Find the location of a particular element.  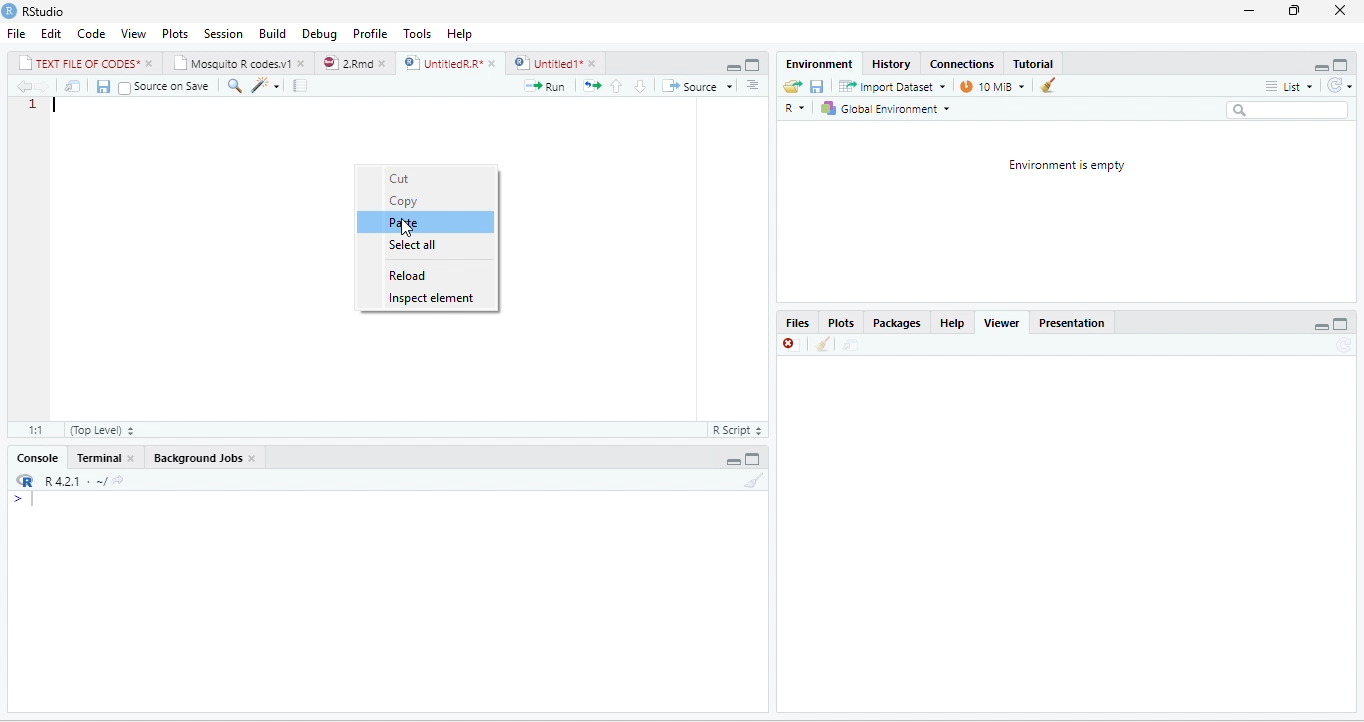

compile report is located at coordinates (300, 85).